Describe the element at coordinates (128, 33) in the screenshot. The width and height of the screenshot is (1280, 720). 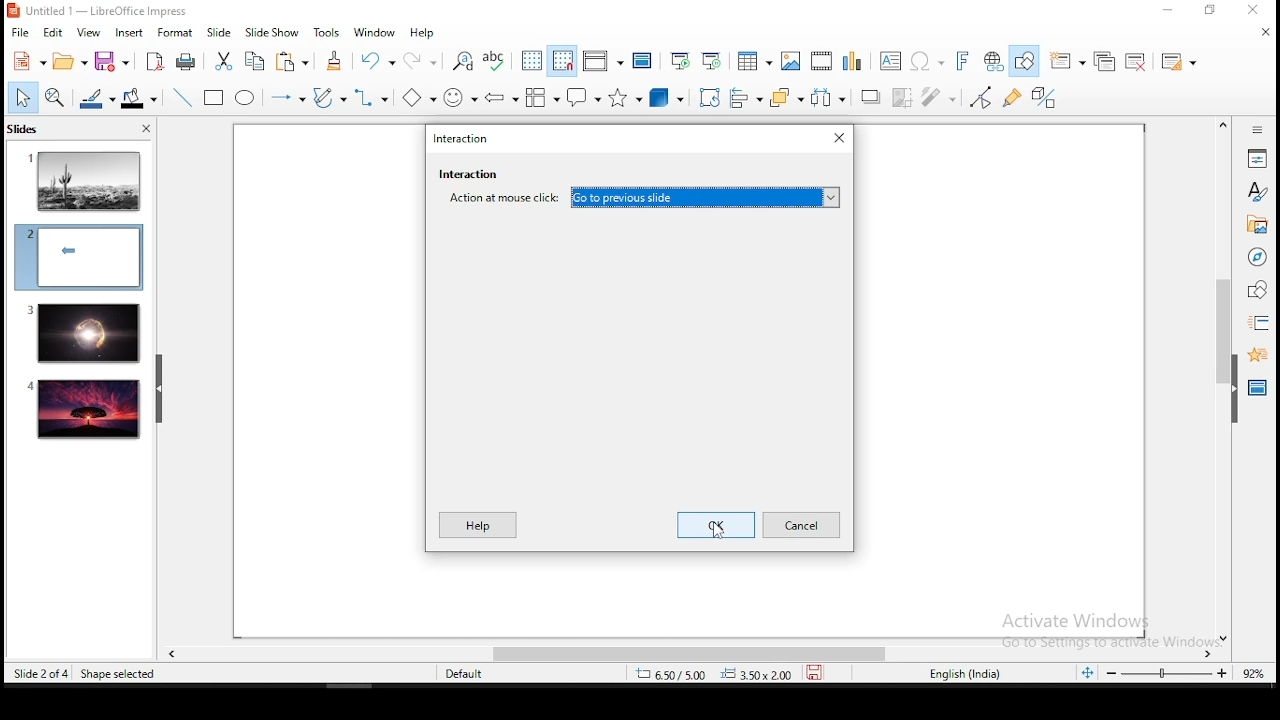
I see `insert` at that location.